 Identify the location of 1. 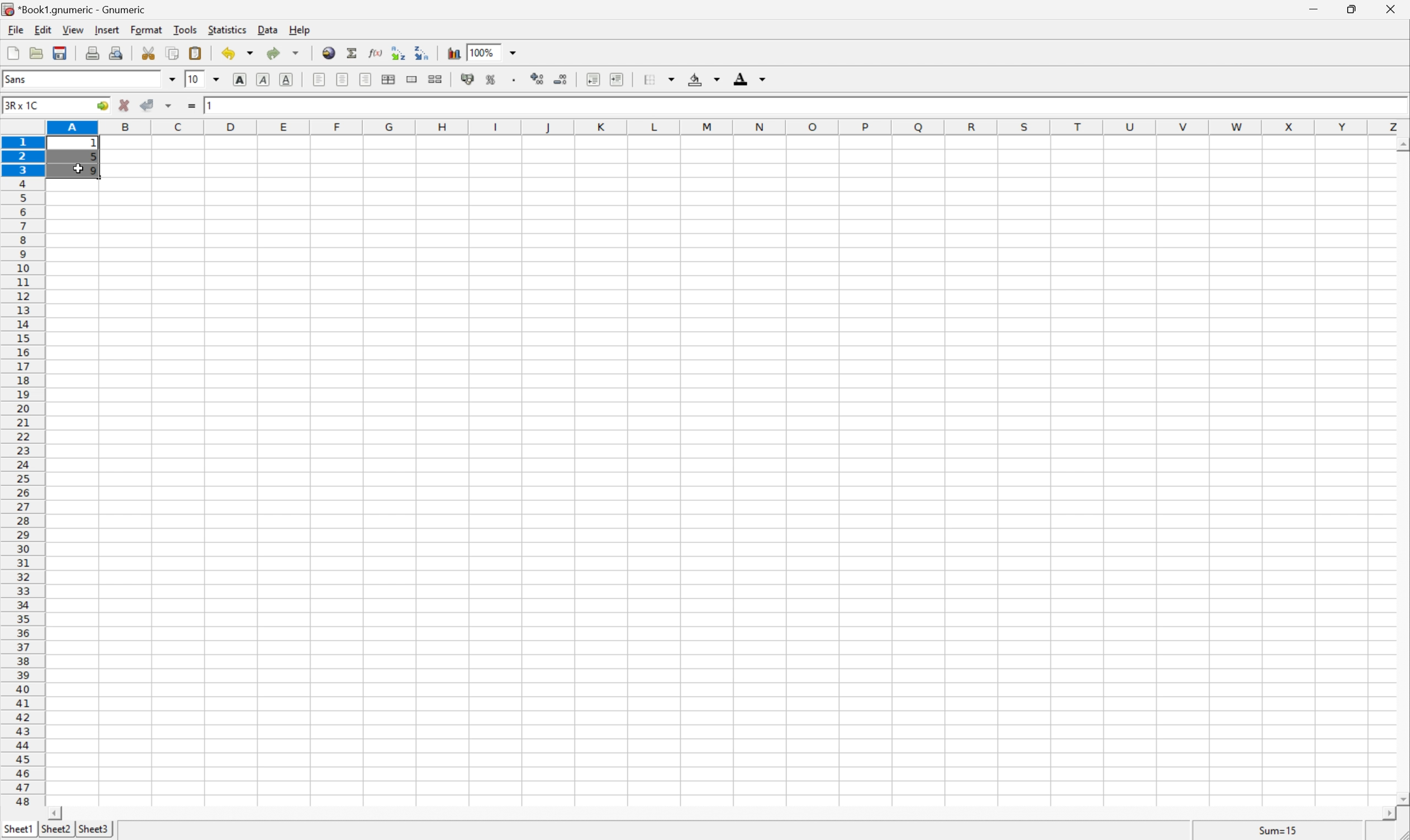
(96, 144).